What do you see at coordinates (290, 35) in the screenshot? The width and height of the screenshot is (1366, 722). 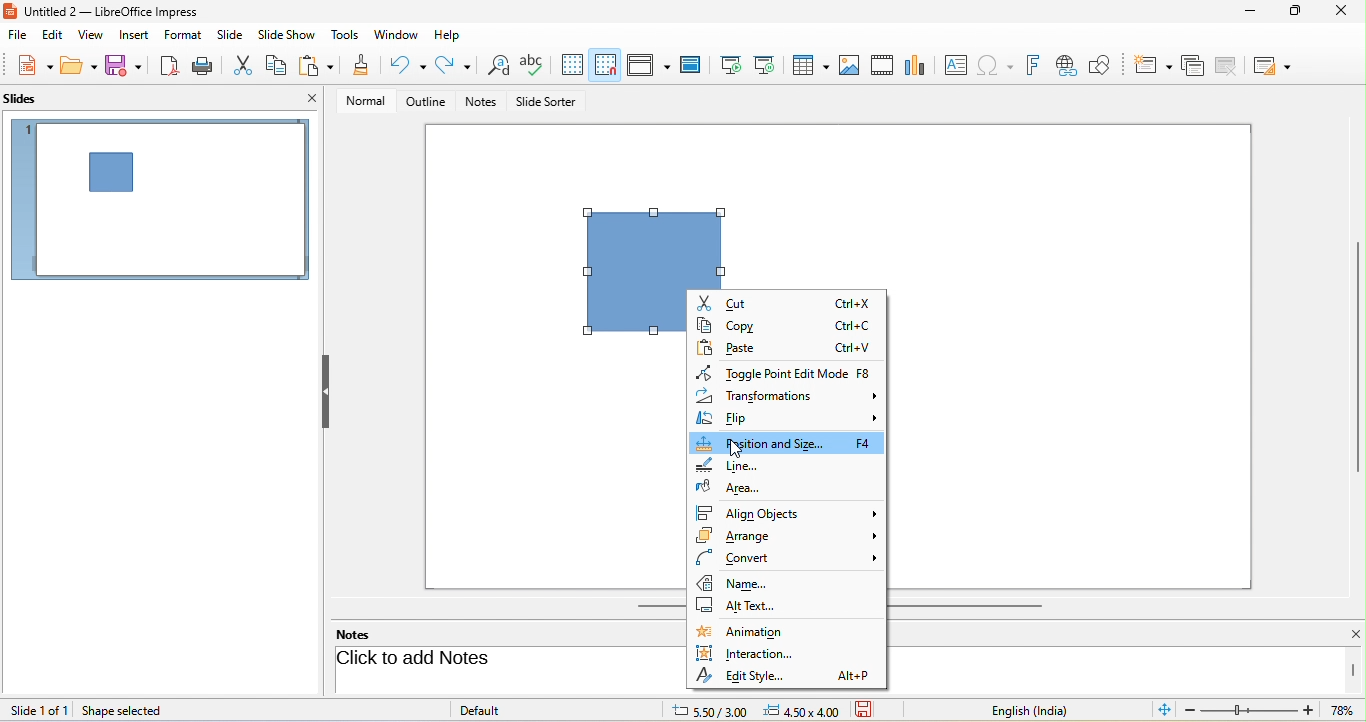 I see `slide show` at bounding box center [290, 35].